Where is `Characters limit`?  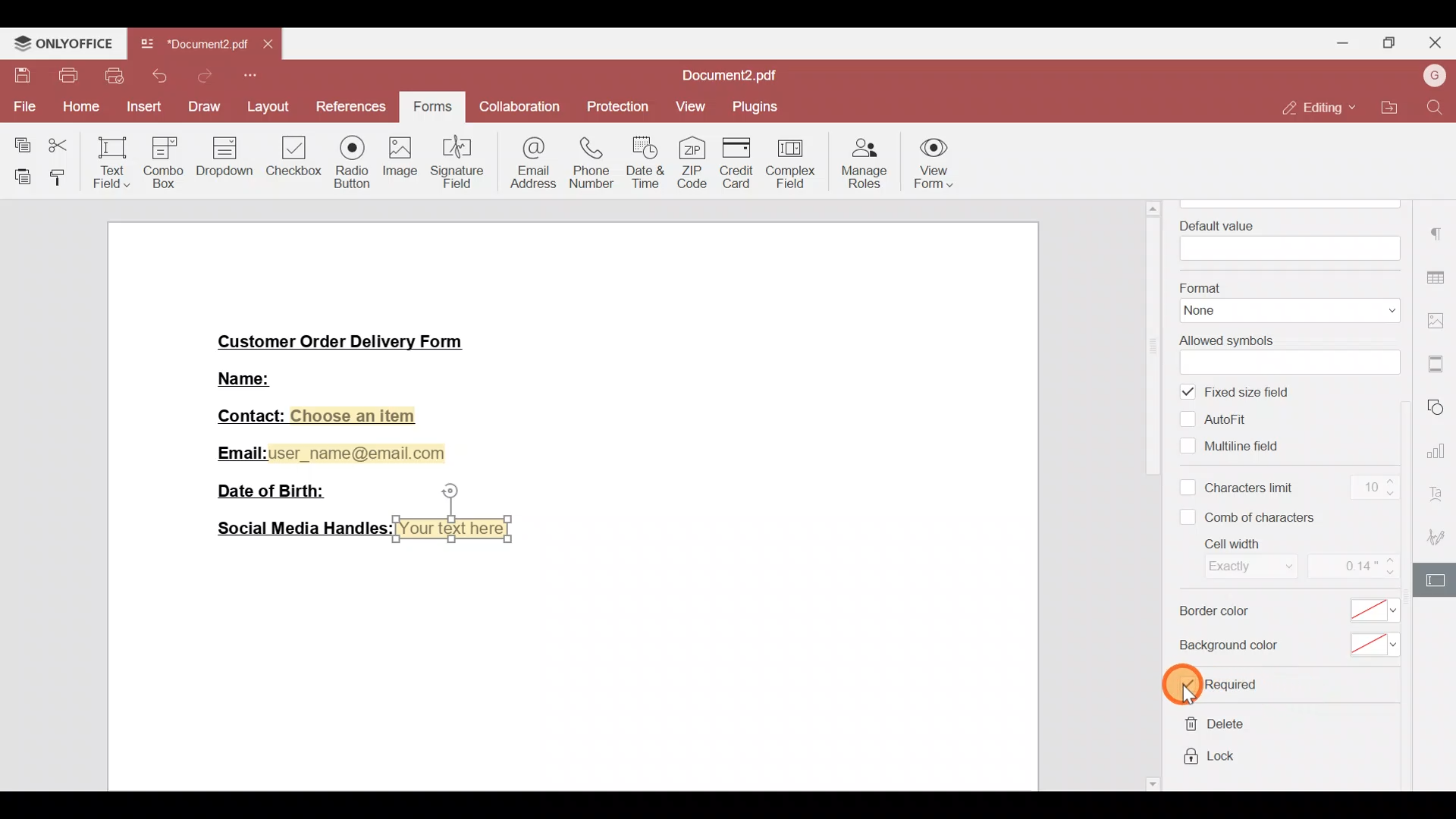
Characters limit is located at coordinates (1239, 489).